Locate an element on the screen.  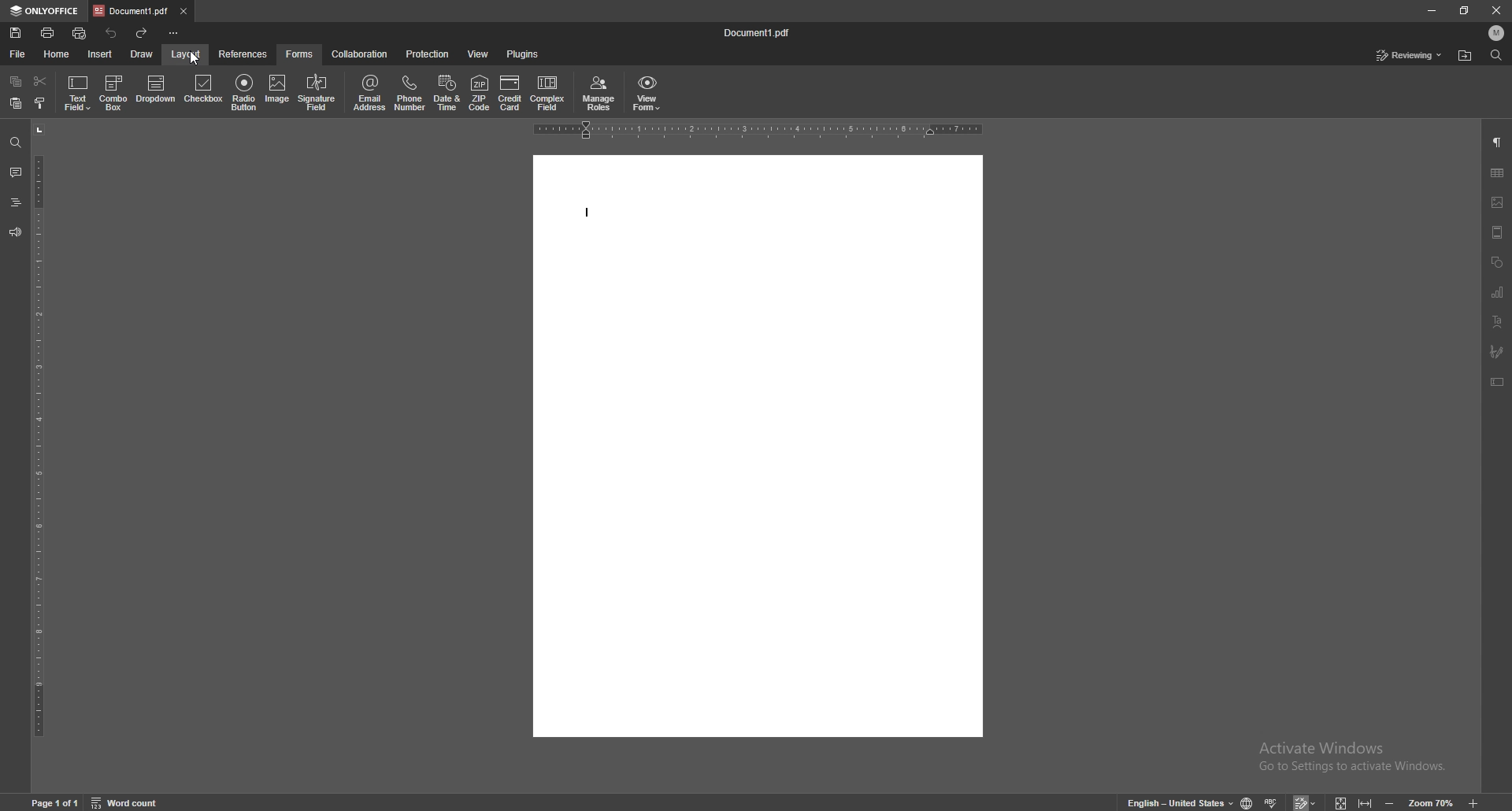
redo is located at coordinates (143, 32).